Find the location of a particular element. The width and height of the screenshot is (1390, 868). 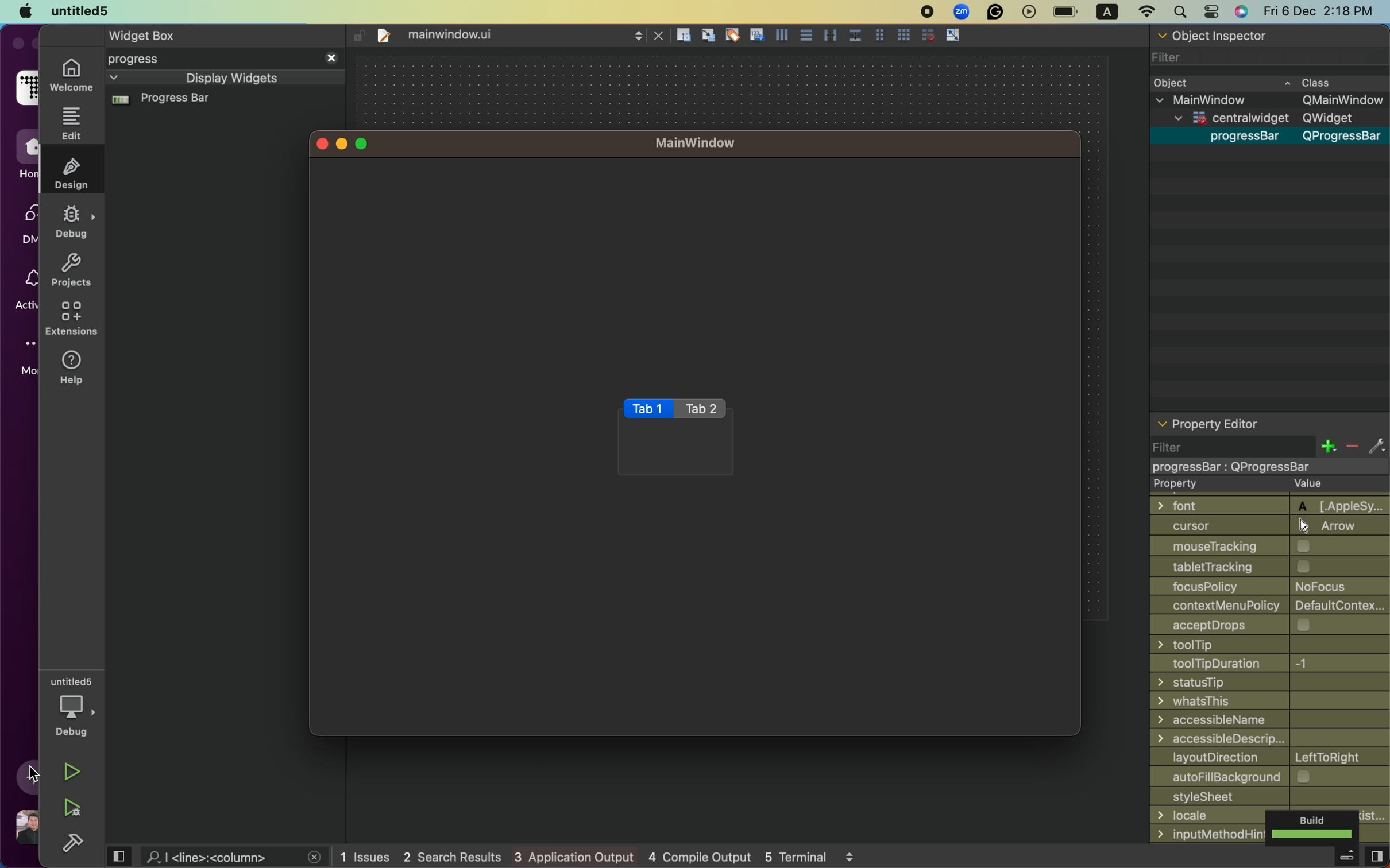

next/back is located at coordinates (639, 36).